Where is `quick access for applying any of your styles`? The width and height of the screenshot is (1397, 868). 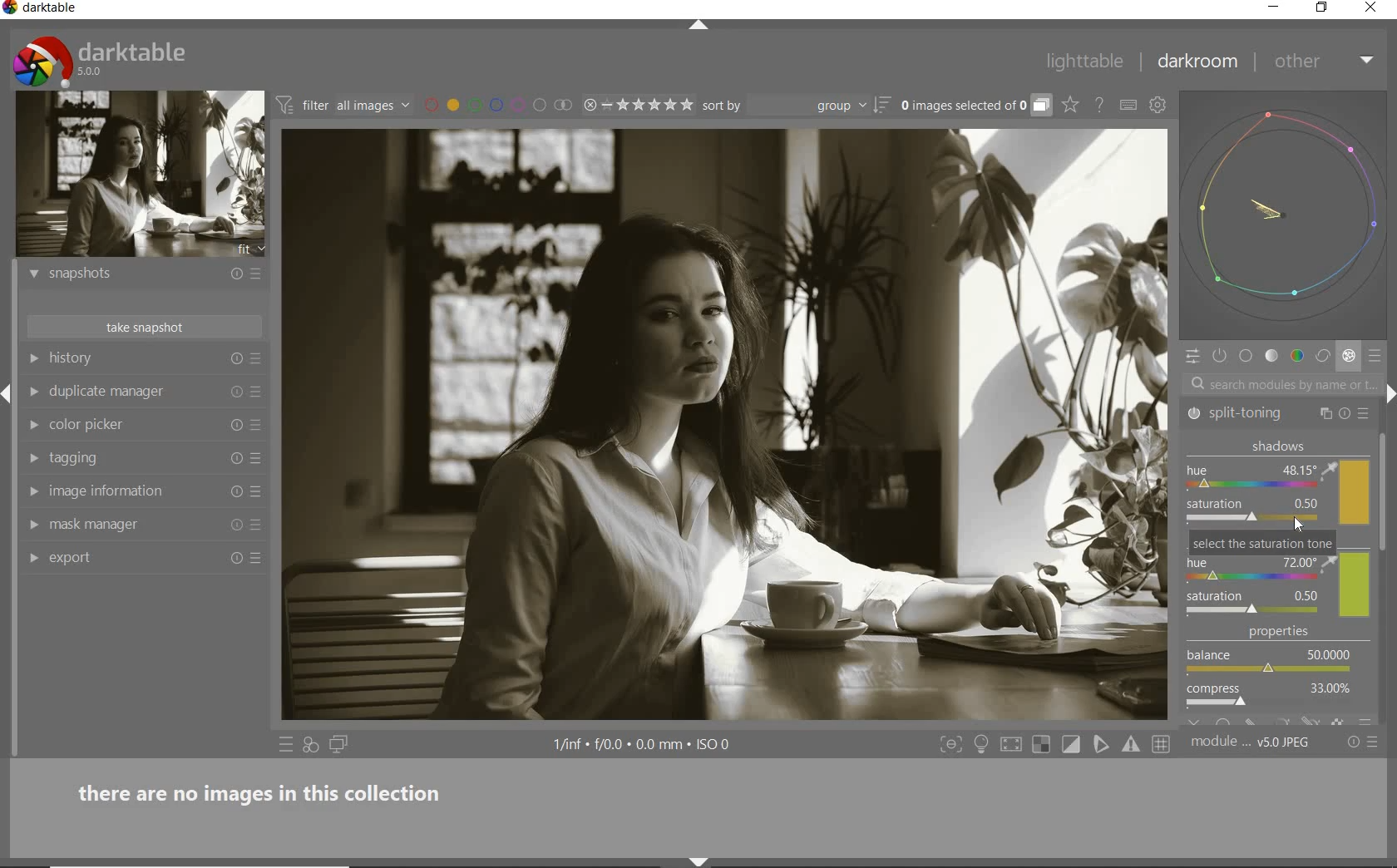 quick access for applying any of your styles is located at coordinates (312, 746).